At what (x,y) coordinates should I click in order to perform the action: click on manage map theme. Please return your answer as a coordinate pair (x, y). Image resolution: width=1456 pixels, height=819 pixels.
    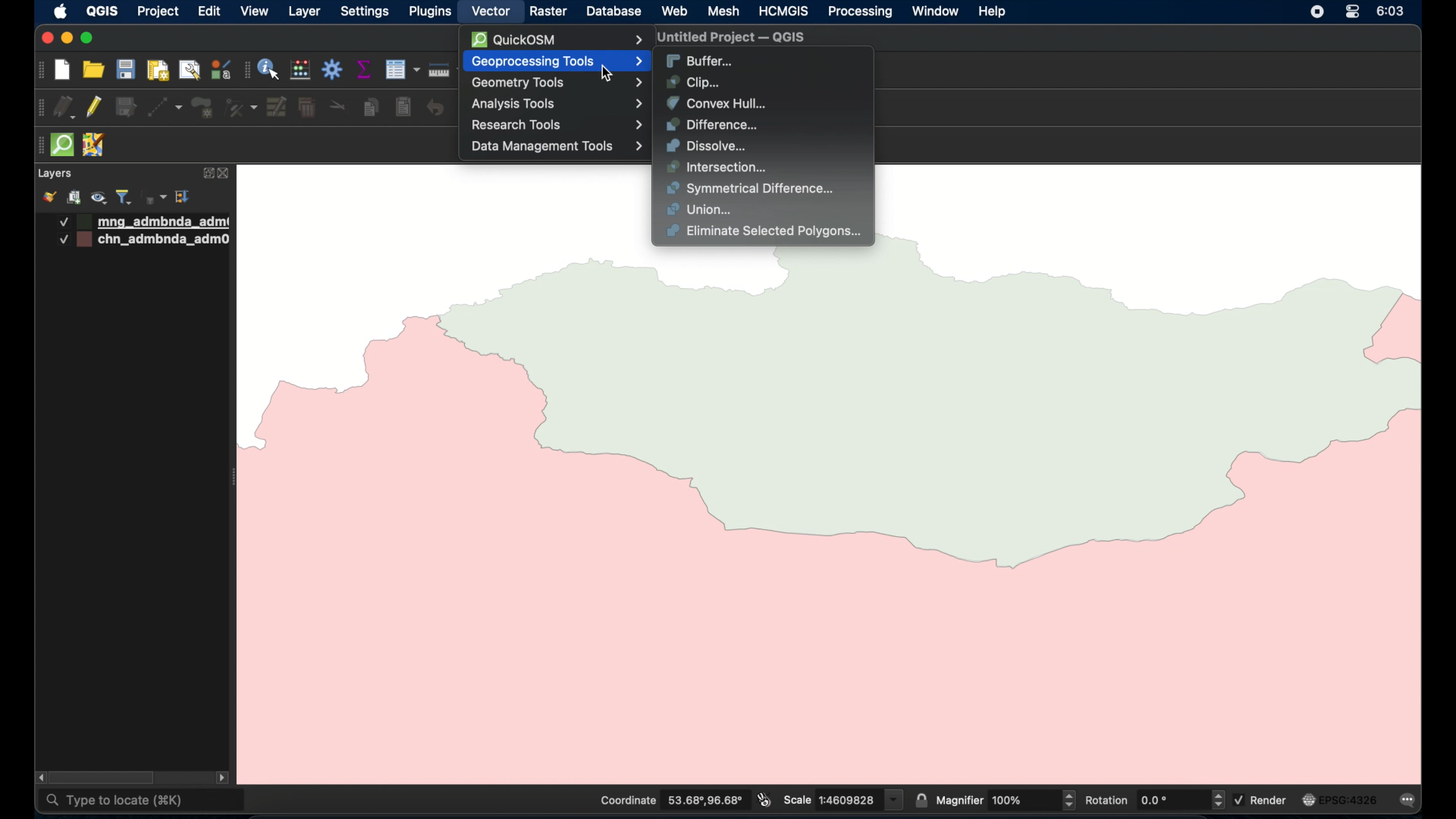
    Looking at the image, I should click on (100, 198).